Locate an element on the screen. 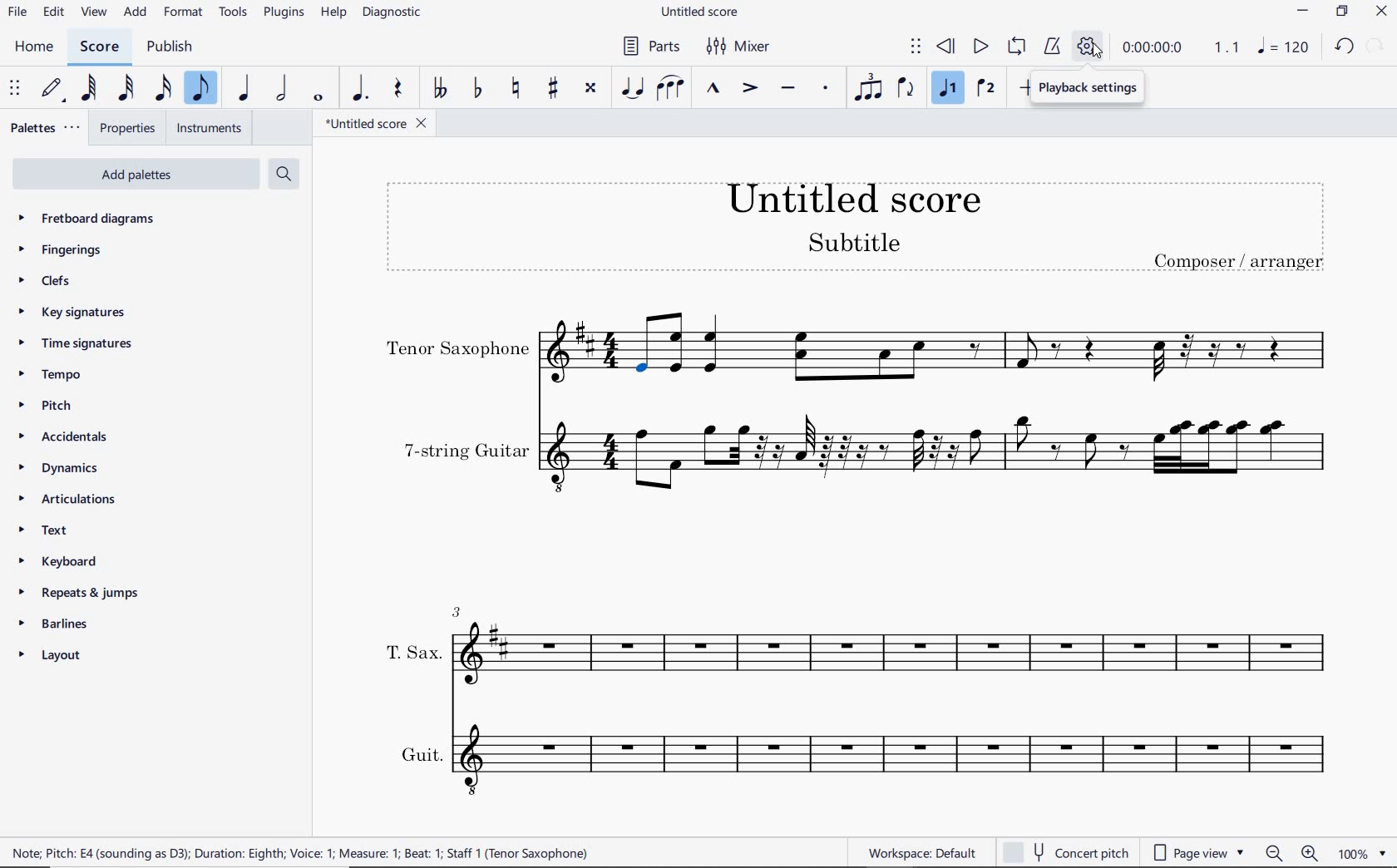  FINGERINGS is located at coordinates (62, 250).